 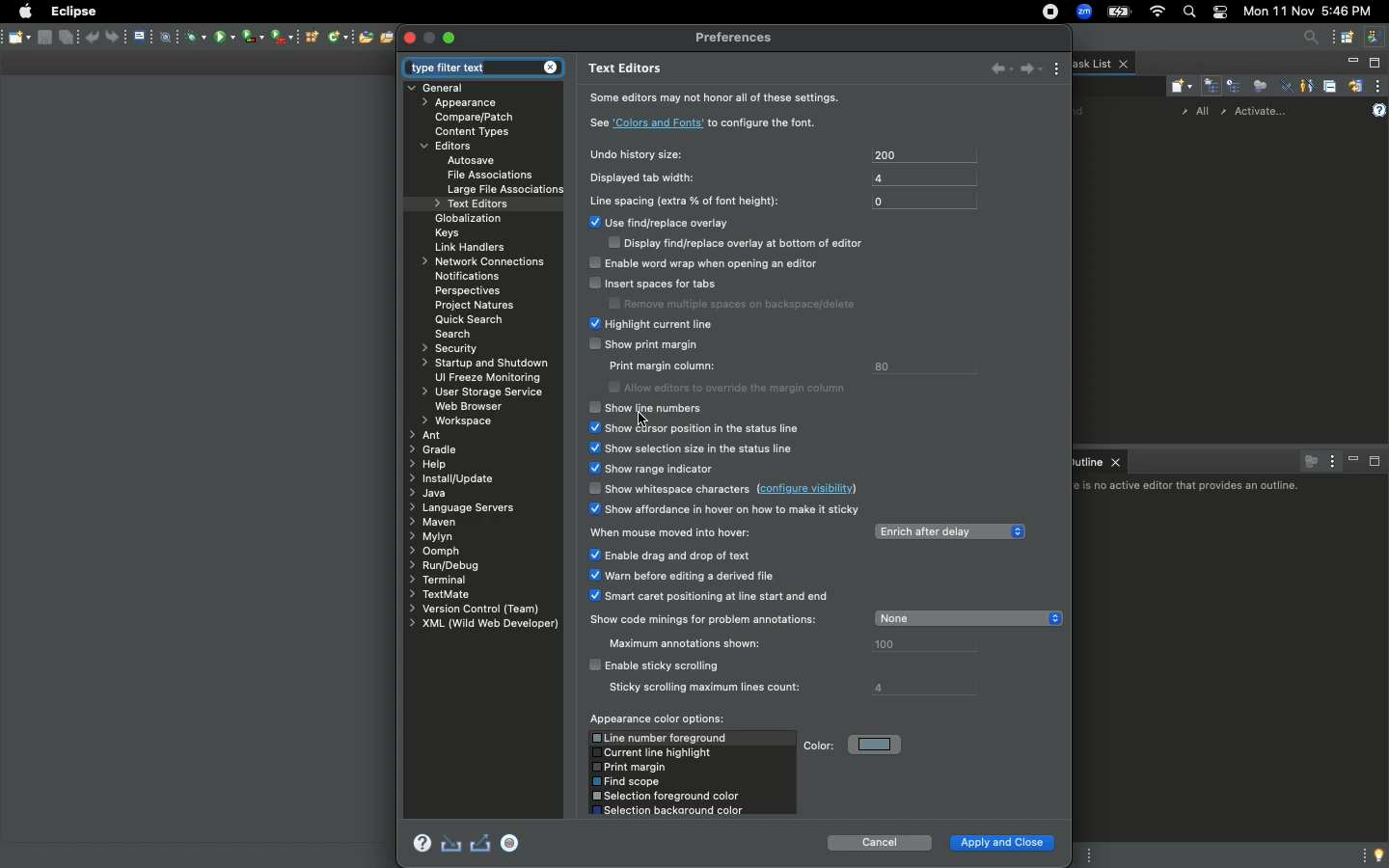 What do you see at coordinates (948, 529) in the screenshot?
I see `Enrich after delay` at bounding box center [948, 529].